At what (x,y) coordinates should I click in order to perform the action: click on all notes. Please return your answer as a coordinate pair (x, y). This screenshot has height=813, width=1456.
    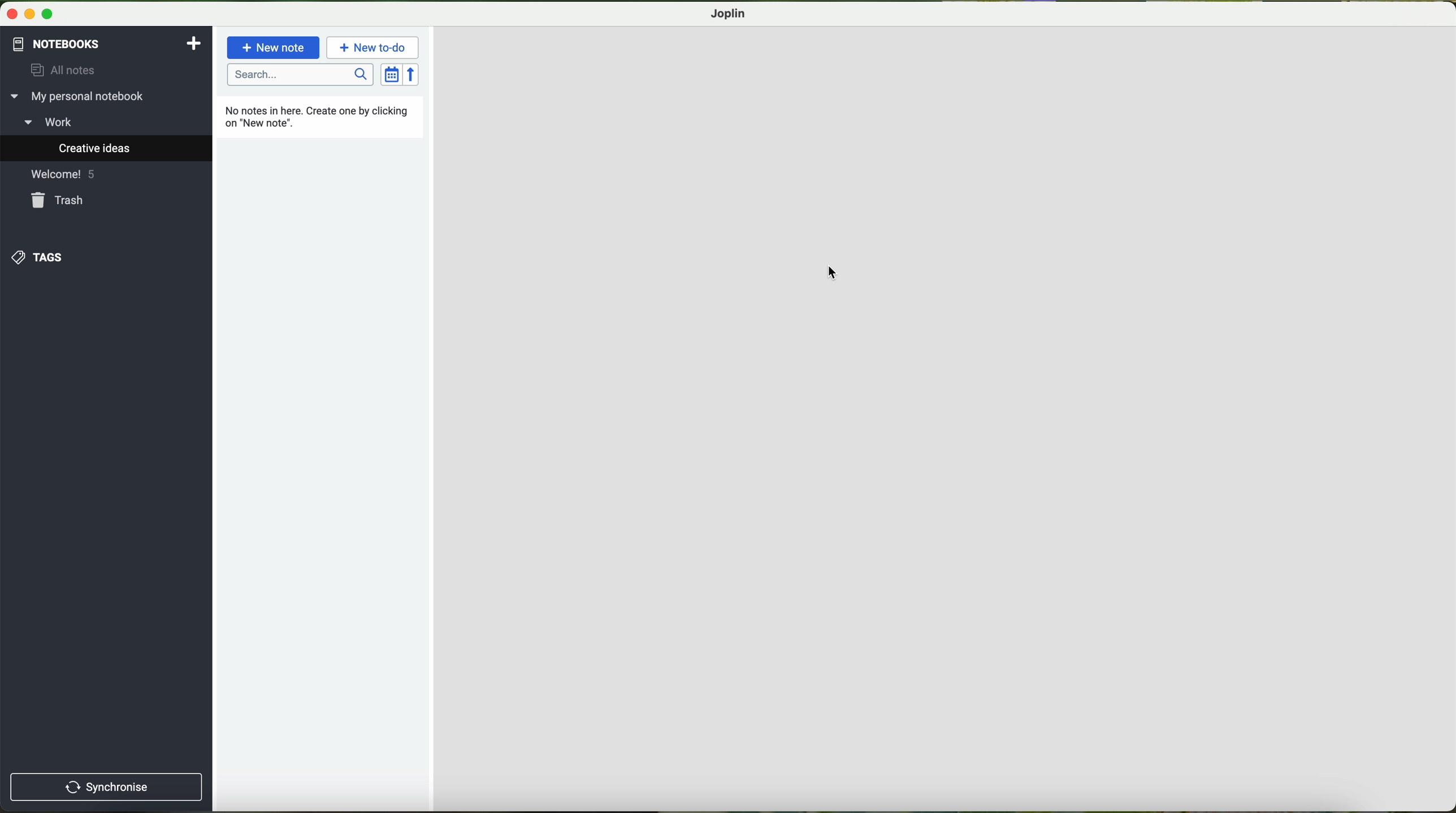
    Looking at the image, I should click on (58, 71).